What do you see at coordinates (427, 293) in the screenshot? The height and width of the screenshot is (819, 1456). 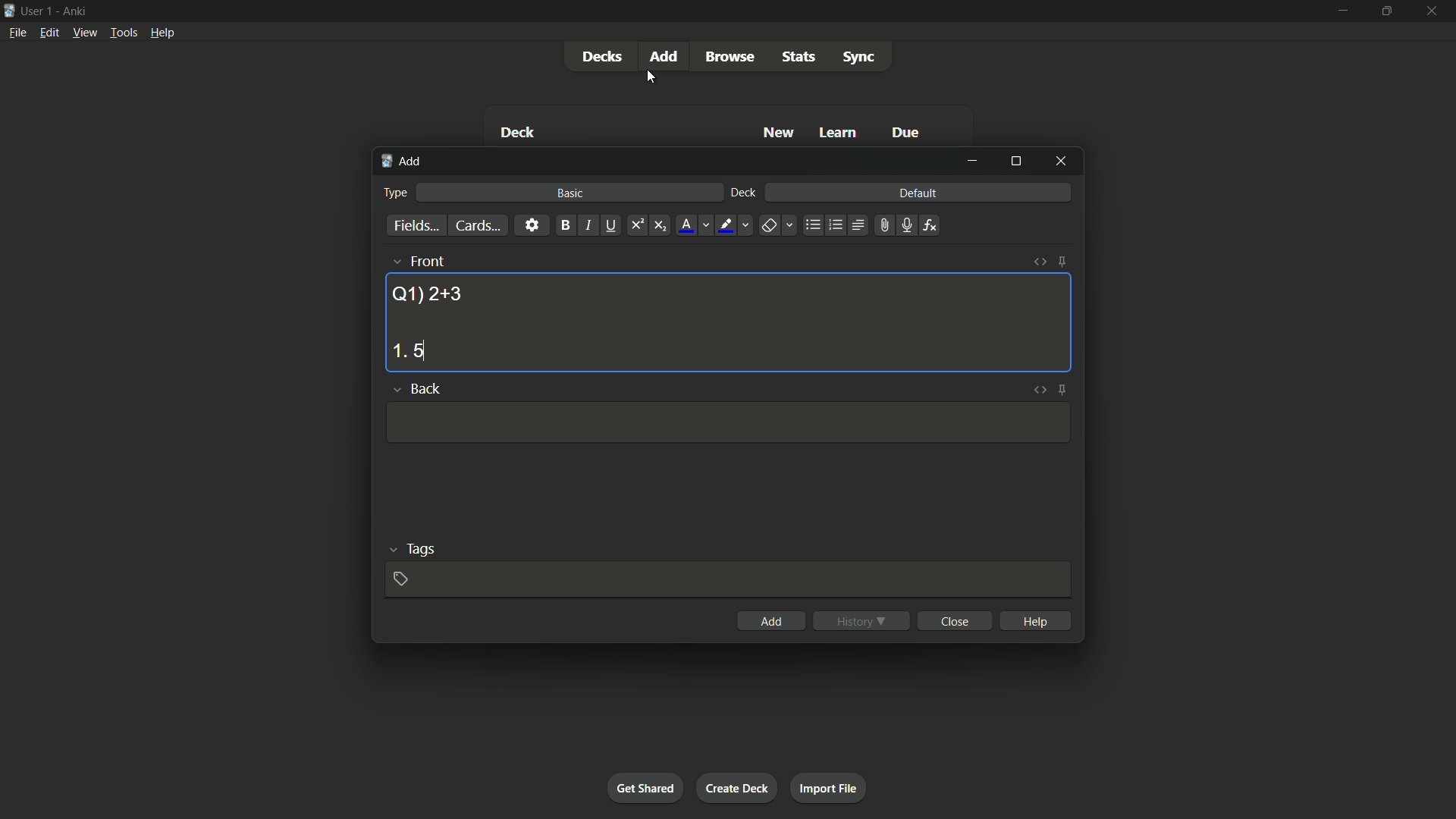 I see `question` at bounding box center [427, 293].